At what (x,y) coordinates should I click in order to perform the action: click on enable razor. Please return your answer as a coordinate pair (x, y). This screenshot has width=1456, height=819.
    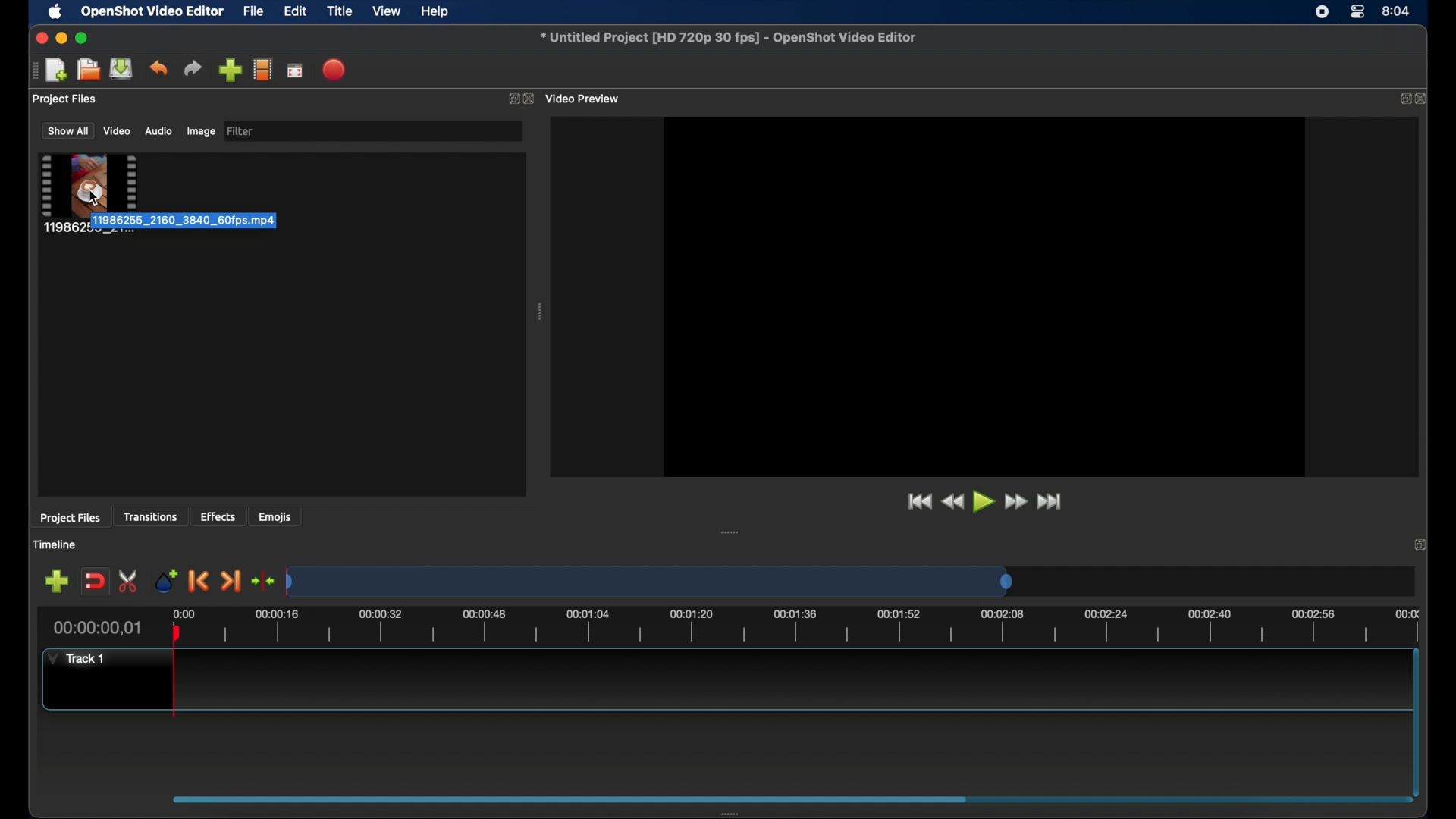
    Looking at the image, I should click on (130, 581).